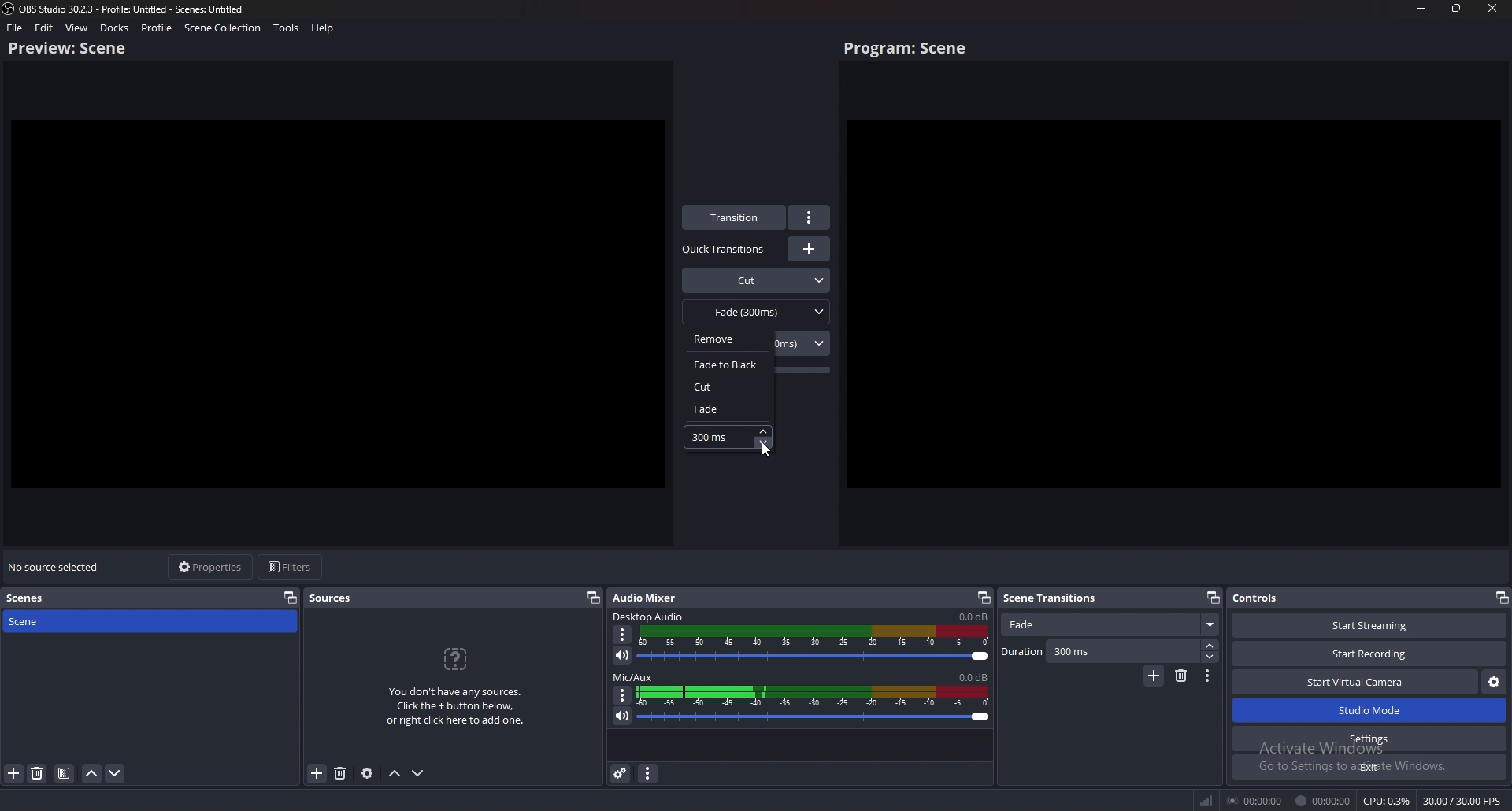 The height and width of the screenshot is (811, 1512). Describe the element at coordinates (158, 28) in the screenshot. I see `profile` at that location.